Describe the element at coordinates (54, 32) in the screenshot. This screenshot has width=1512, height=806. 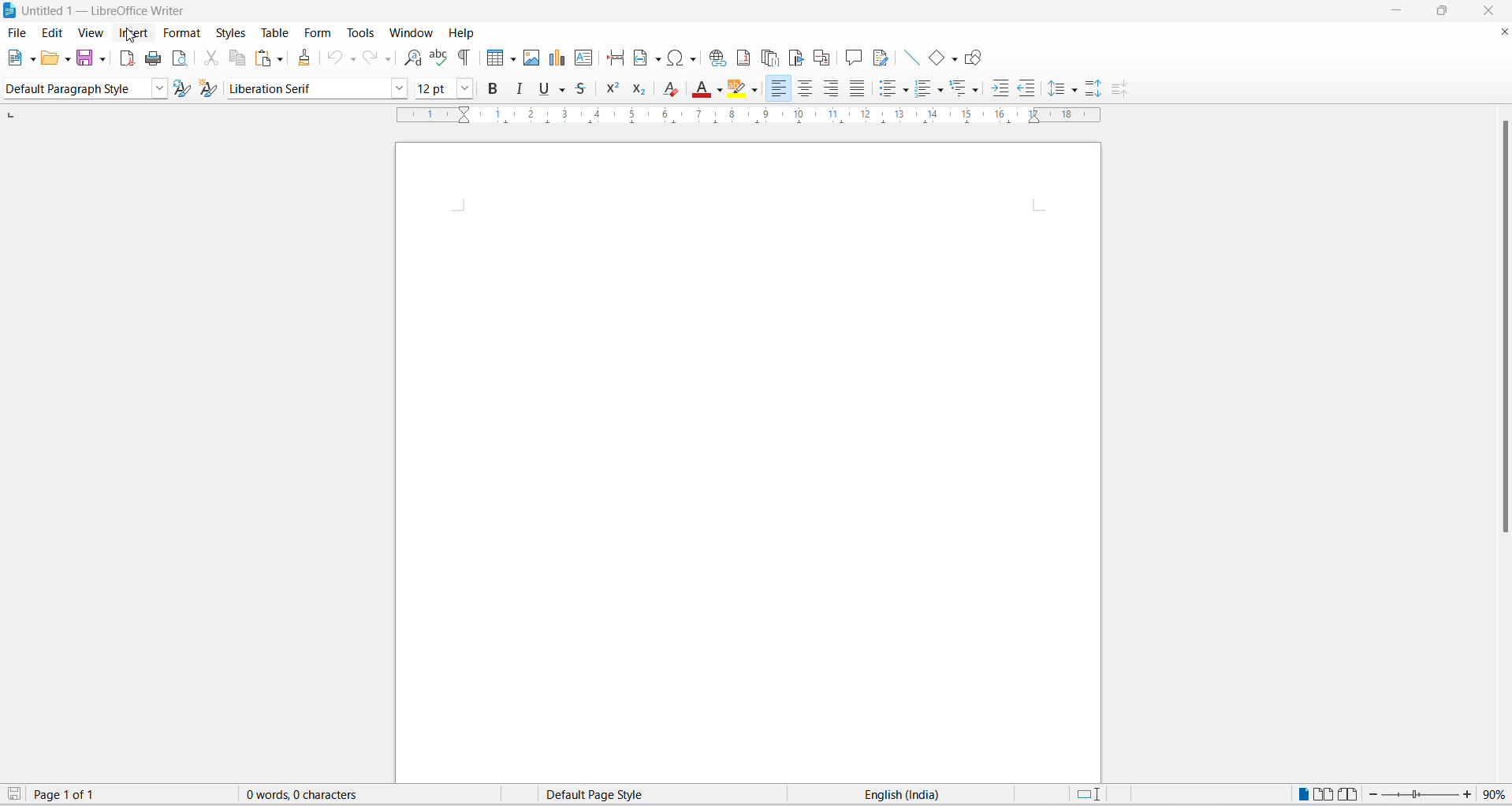
I see `edit` at that location.